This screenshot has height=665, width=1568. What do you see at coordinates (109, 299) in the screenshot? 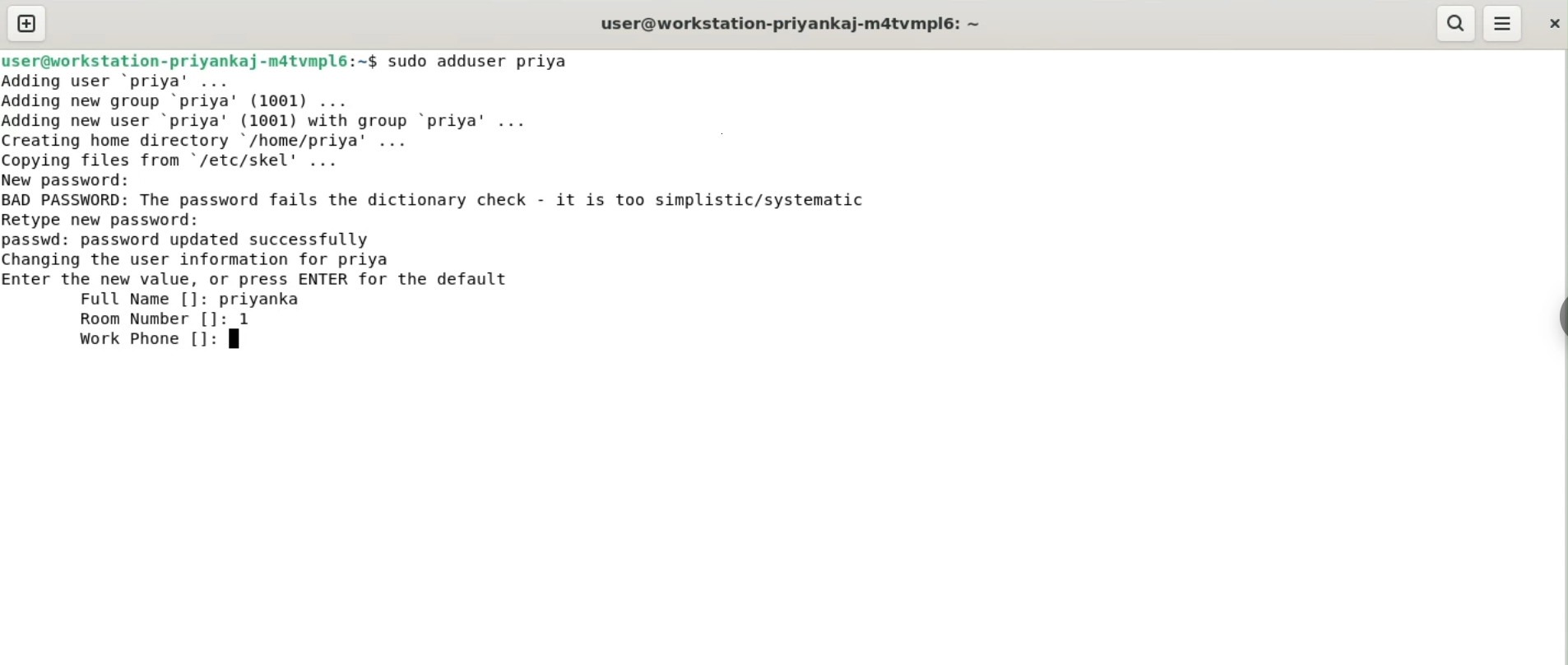
I see `full name [] :` at bounding box center [109, 299].